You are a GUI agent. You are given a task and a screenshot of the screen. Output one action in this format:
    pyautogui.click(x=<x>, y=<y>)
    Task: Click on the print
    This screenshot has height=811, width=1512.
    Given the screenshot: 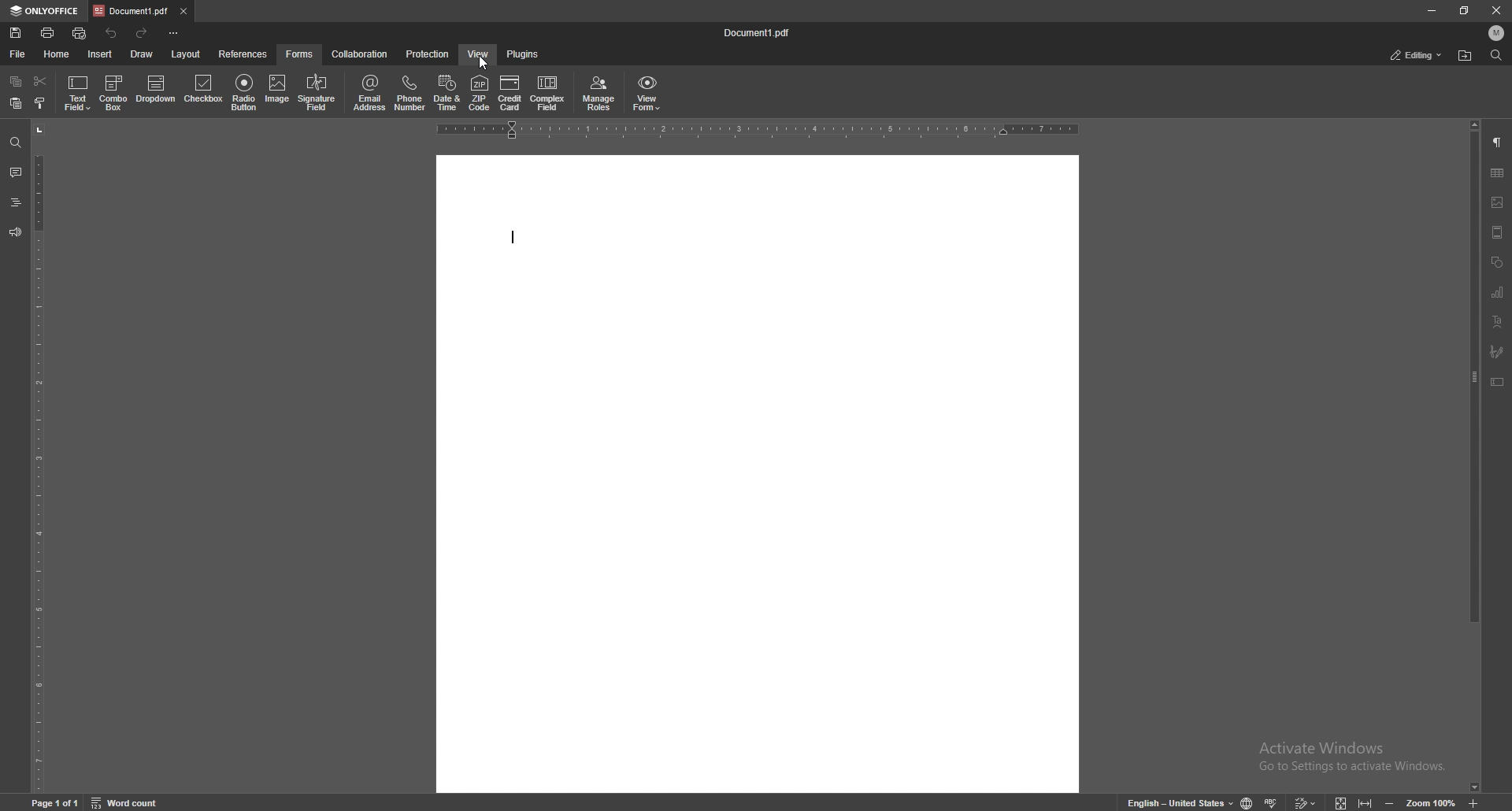 What is the action you would take?
    pyautogui.click(x=48, y=31)
    